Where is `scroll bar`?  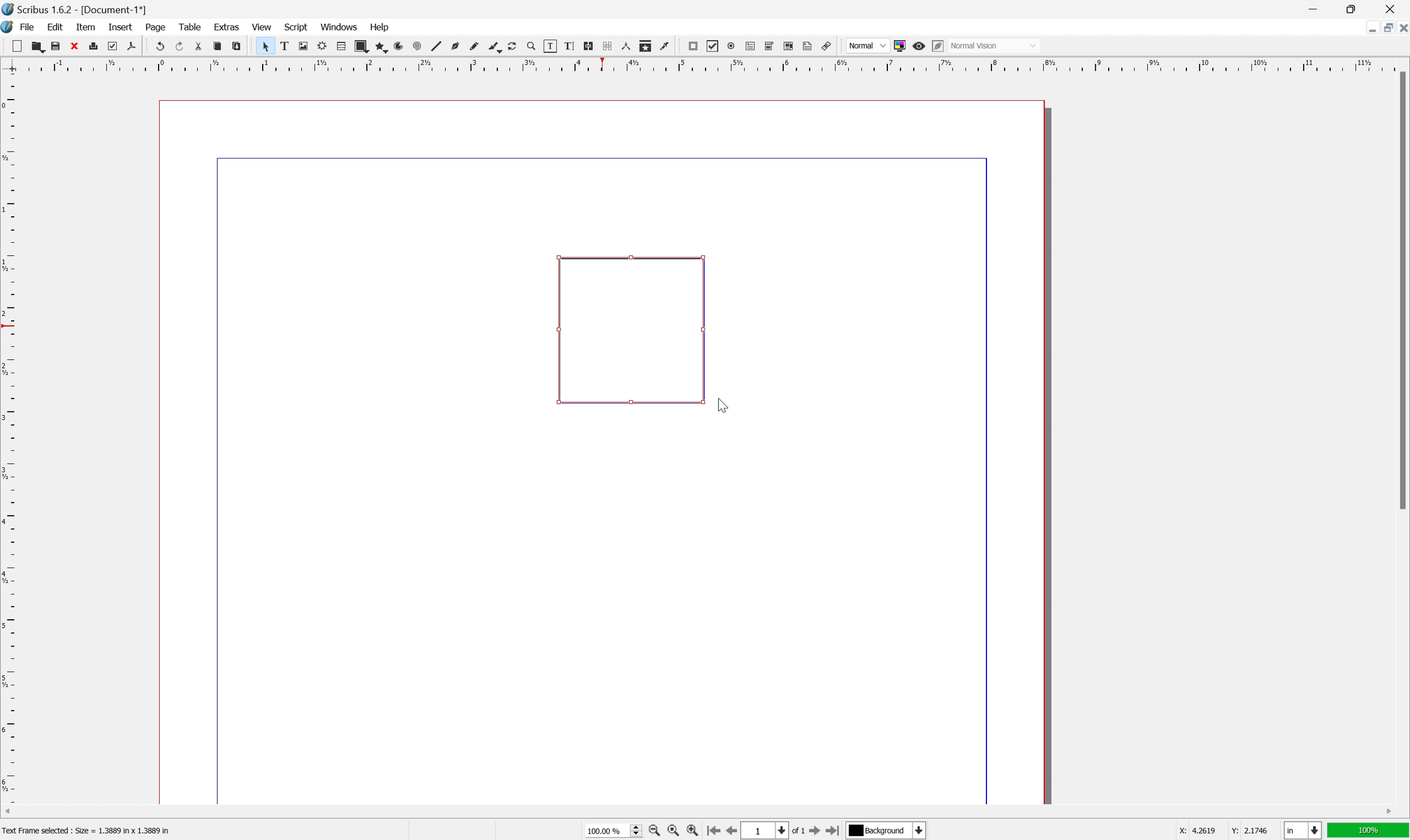 scroll bar is located at coordinates (699, 812).